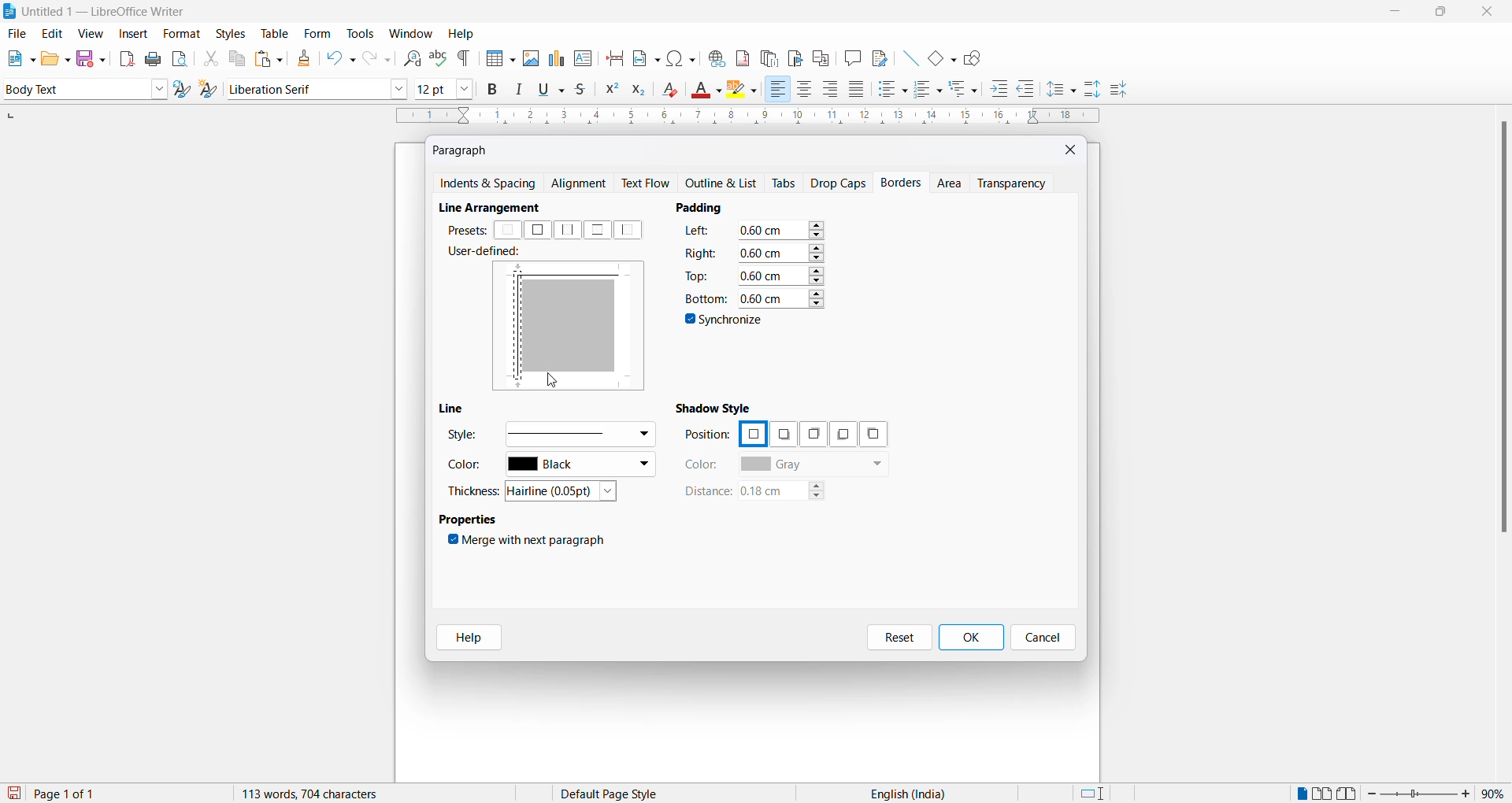 This screenshot has width=1512, height=803. I want to click on font size options, so click(465, 88).